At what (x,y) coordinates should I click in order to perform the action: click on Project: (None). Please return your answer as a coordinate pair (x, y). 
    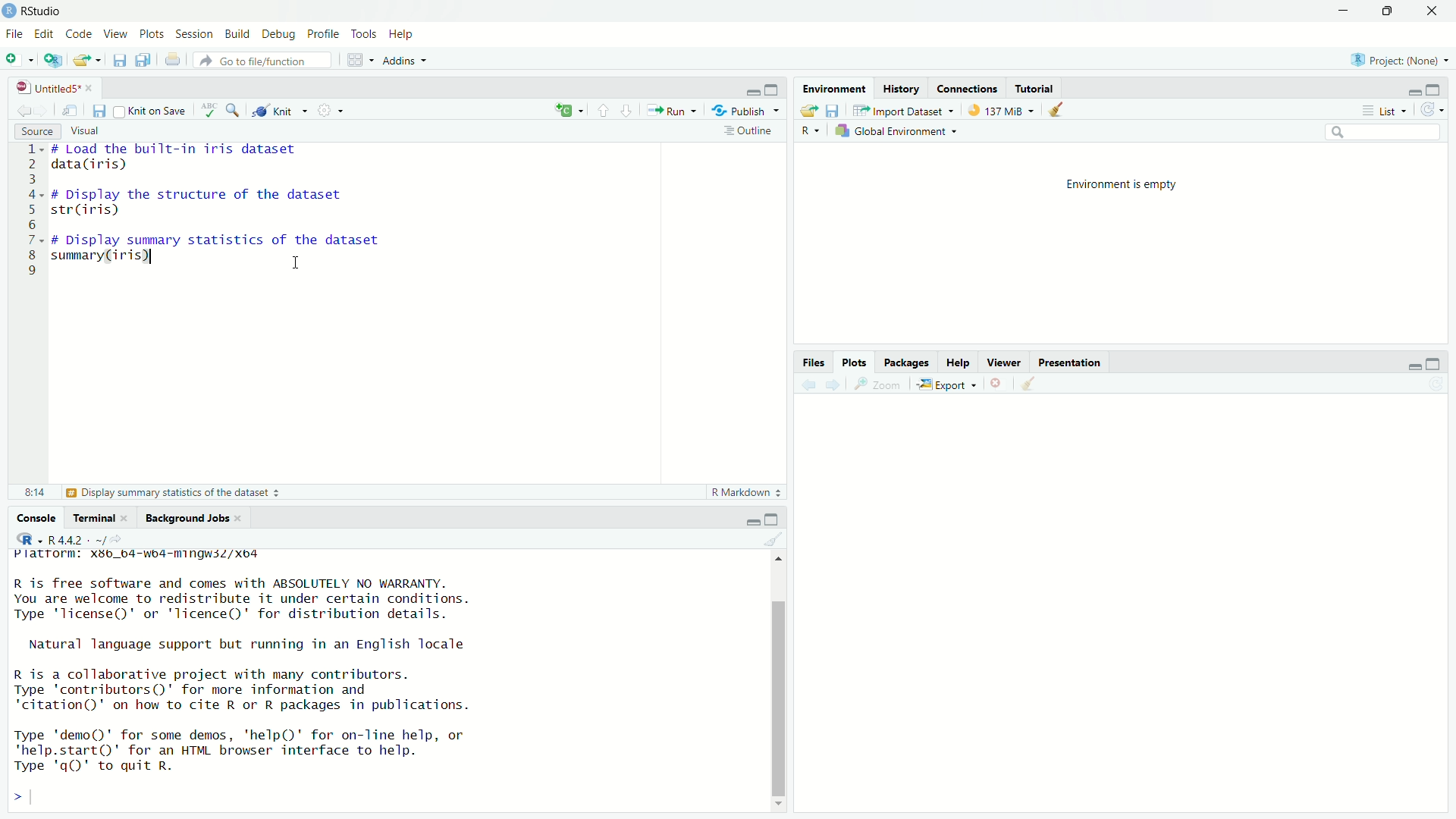
    Looking at the image, I should click on (1401, 60).